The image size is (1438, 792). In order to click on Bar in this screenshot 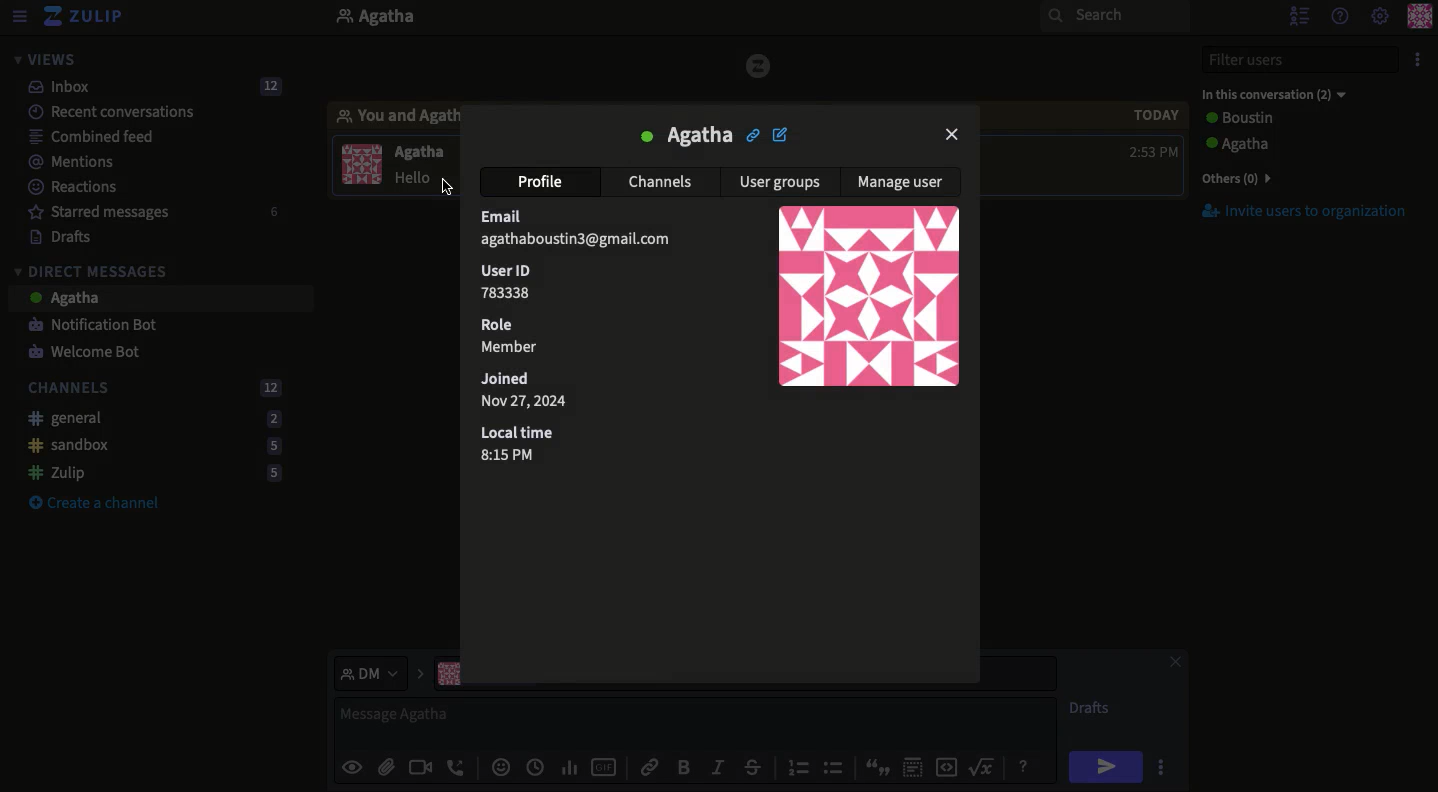, I will do `click(870, 296)`.